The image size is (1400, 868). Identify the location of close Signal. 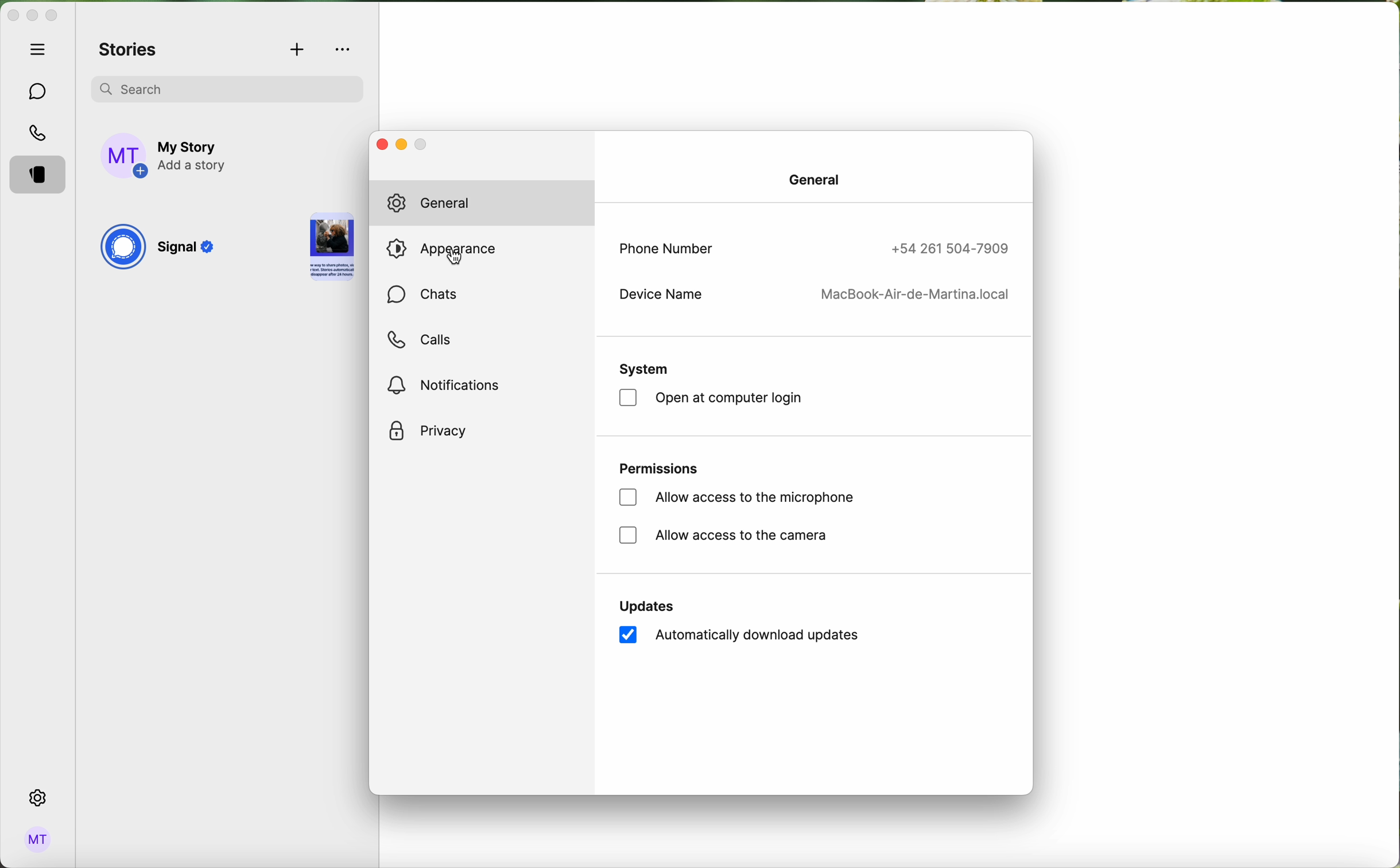
(12, 16).